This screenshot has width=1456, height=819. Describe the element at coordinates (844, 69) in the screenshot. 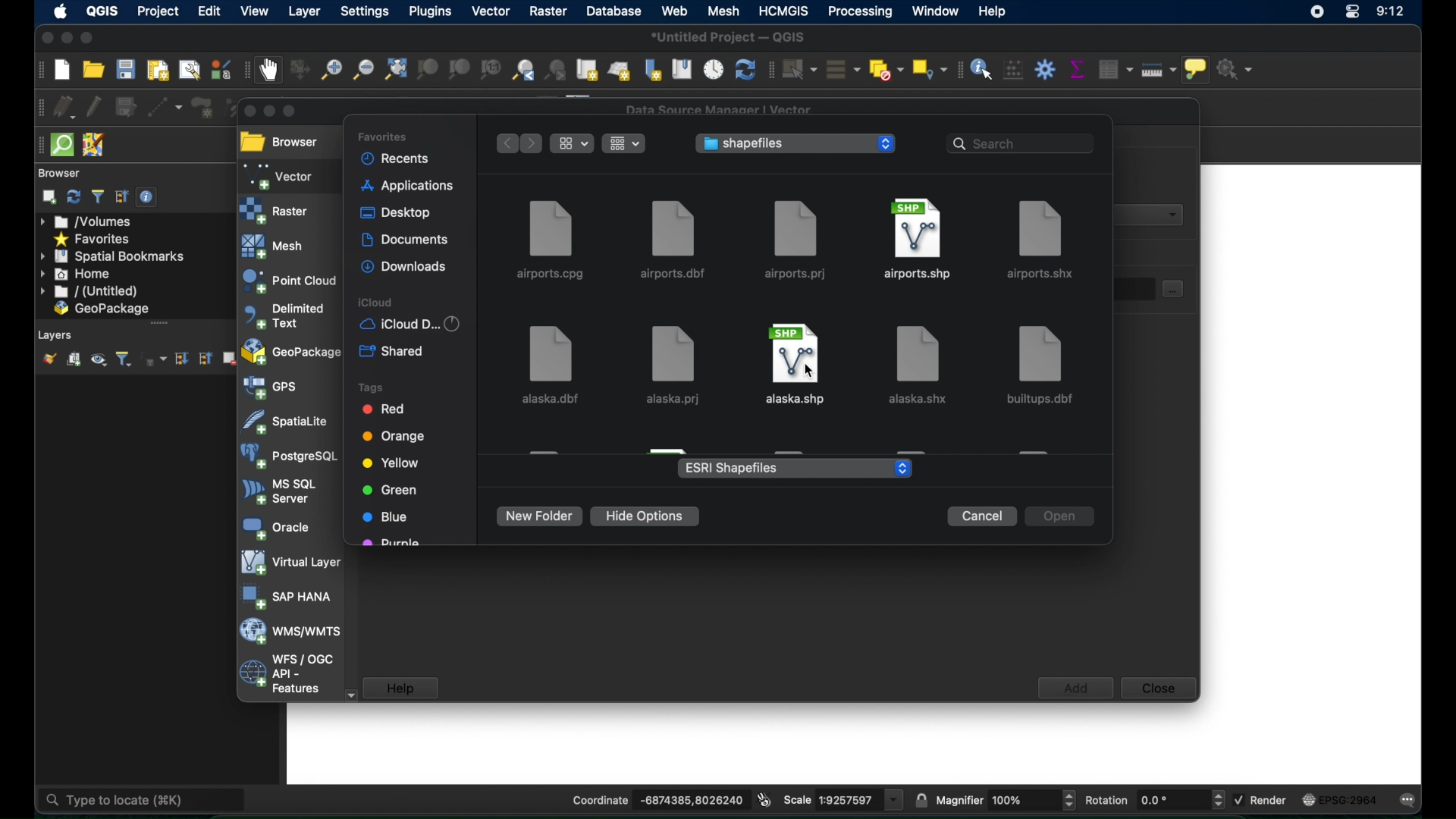

I see `select all features` at that location.